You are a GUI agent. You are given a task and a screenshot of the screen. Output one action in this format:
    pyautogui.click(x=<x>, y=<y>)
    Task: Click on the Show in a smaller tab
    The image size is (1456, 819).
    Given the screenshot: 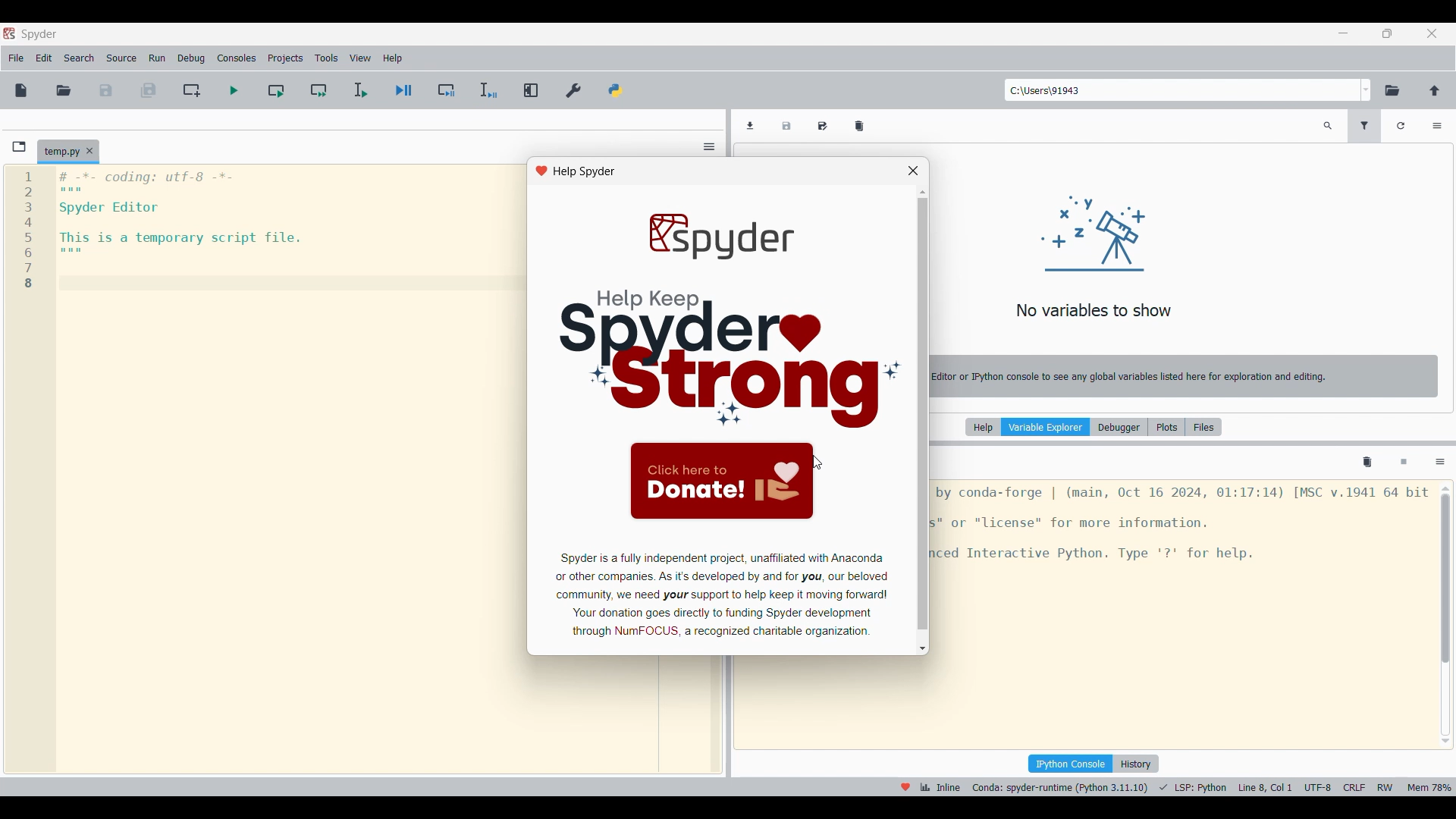 What is the action you would take?
    pyautogui.click(x=1387, y=33)
    